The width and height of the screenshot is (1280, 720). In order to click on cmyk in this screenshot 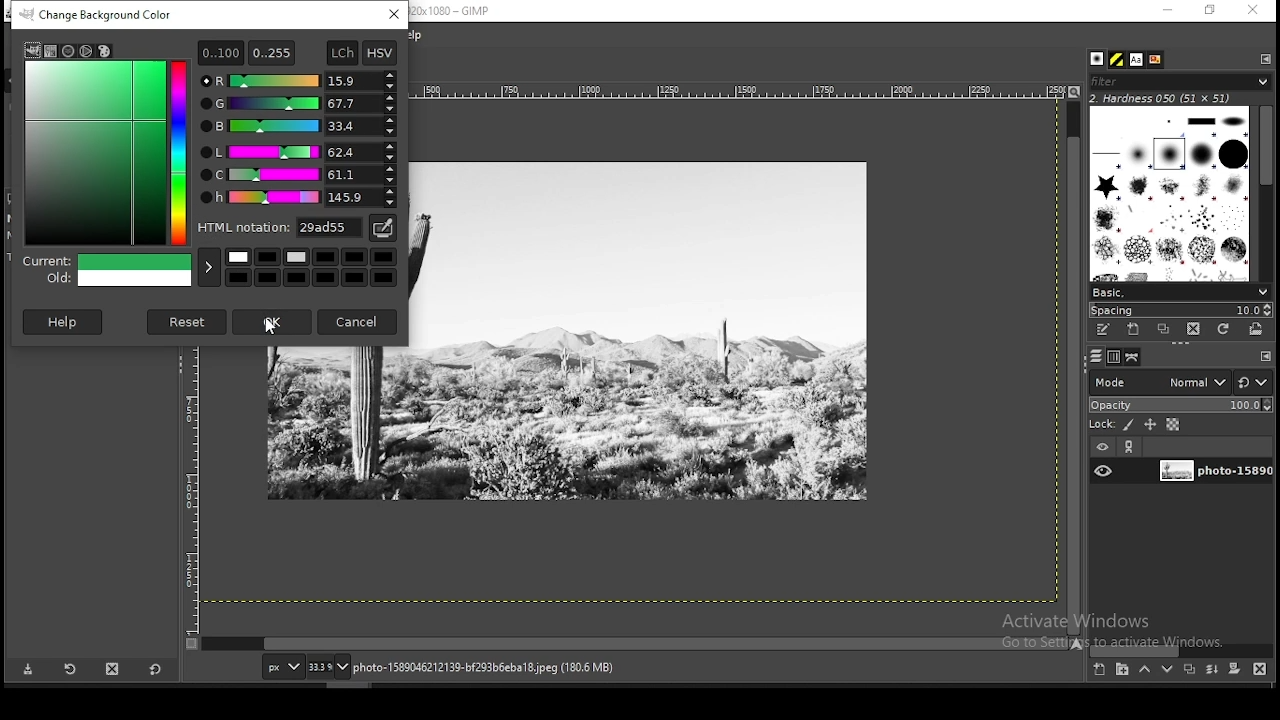, I will do `click(52, 52)`.